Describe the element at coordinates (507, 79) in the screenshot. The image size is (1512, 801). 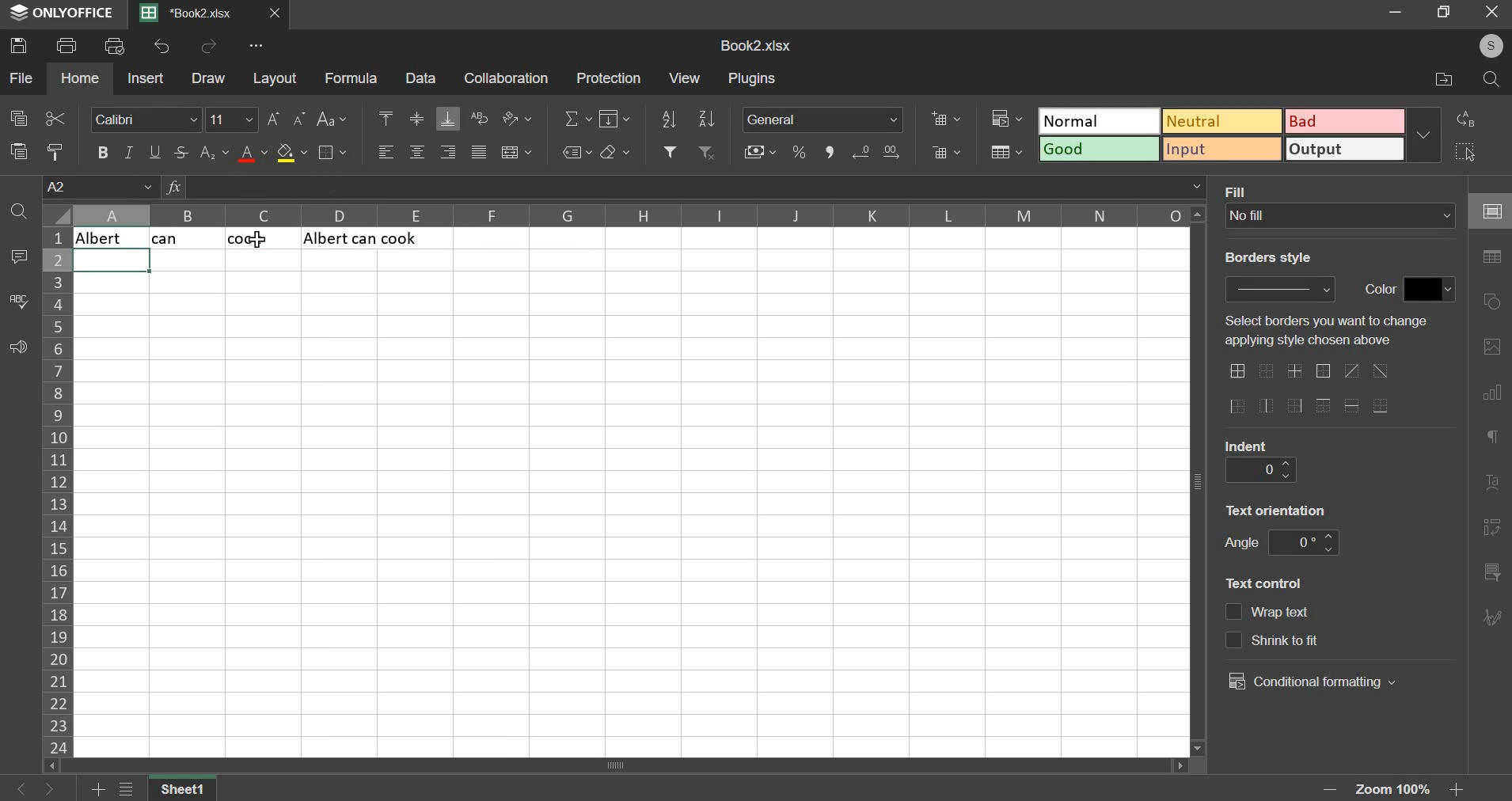
I see `collaboration` at that location.